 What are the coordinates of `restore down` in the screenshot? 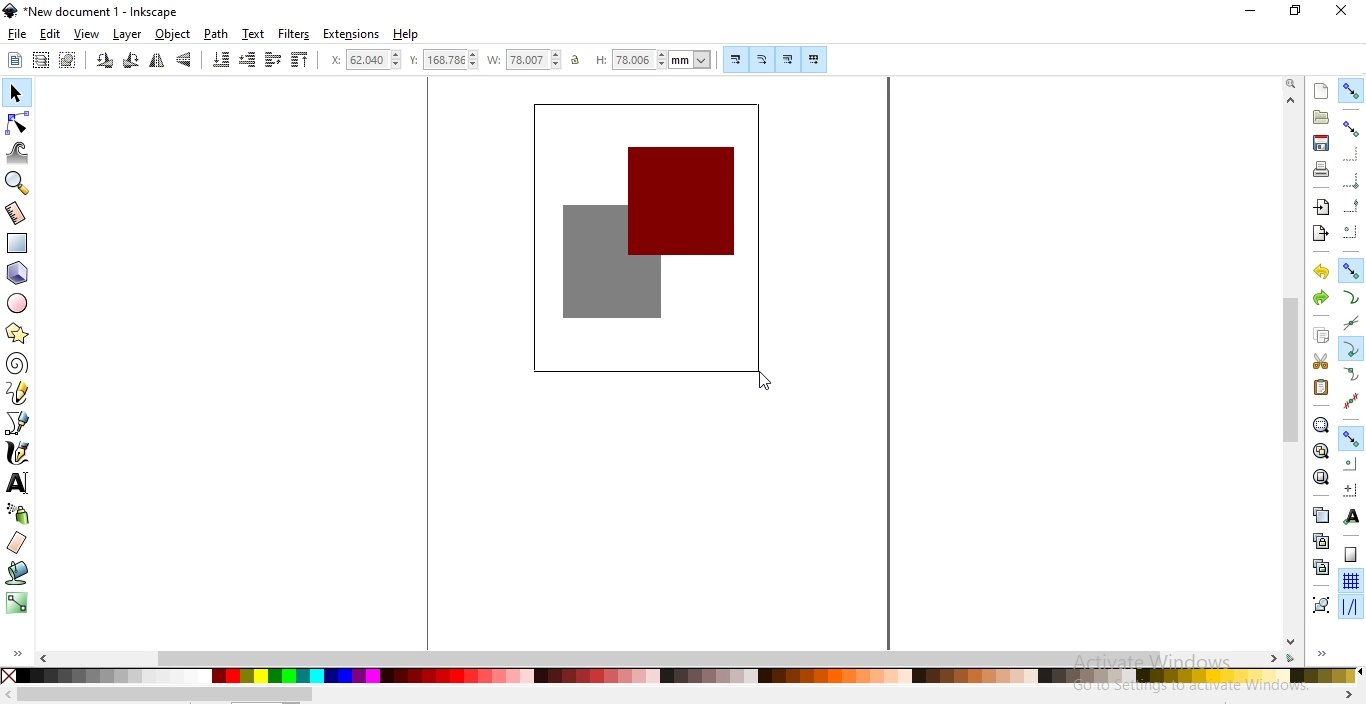 It's located at (1296, 12).